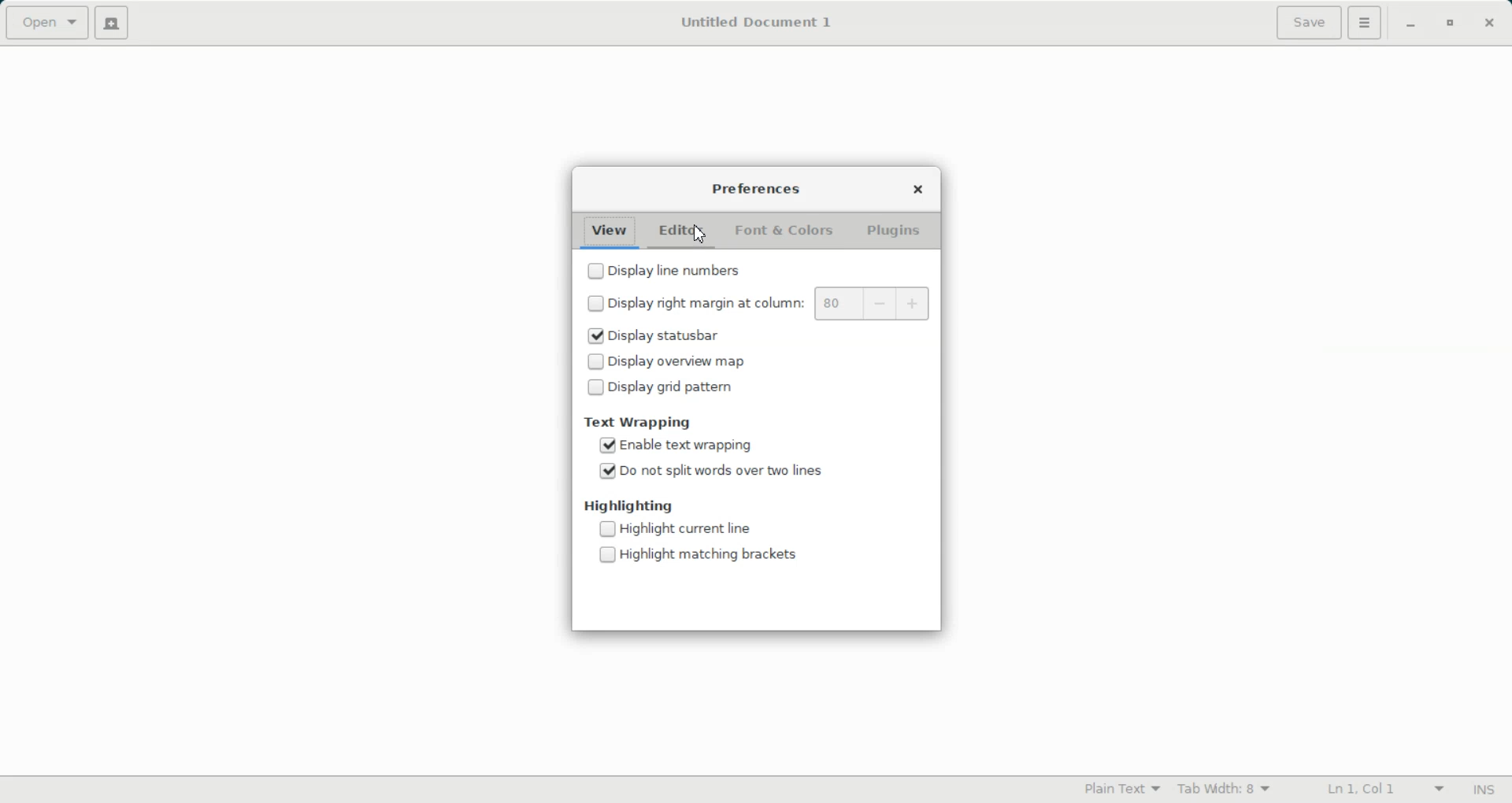 The height and width of the screenshot is (803, 1512). Describe the element at coordinates (1485, 790) in the screenshot. I see `Insert` at that location.